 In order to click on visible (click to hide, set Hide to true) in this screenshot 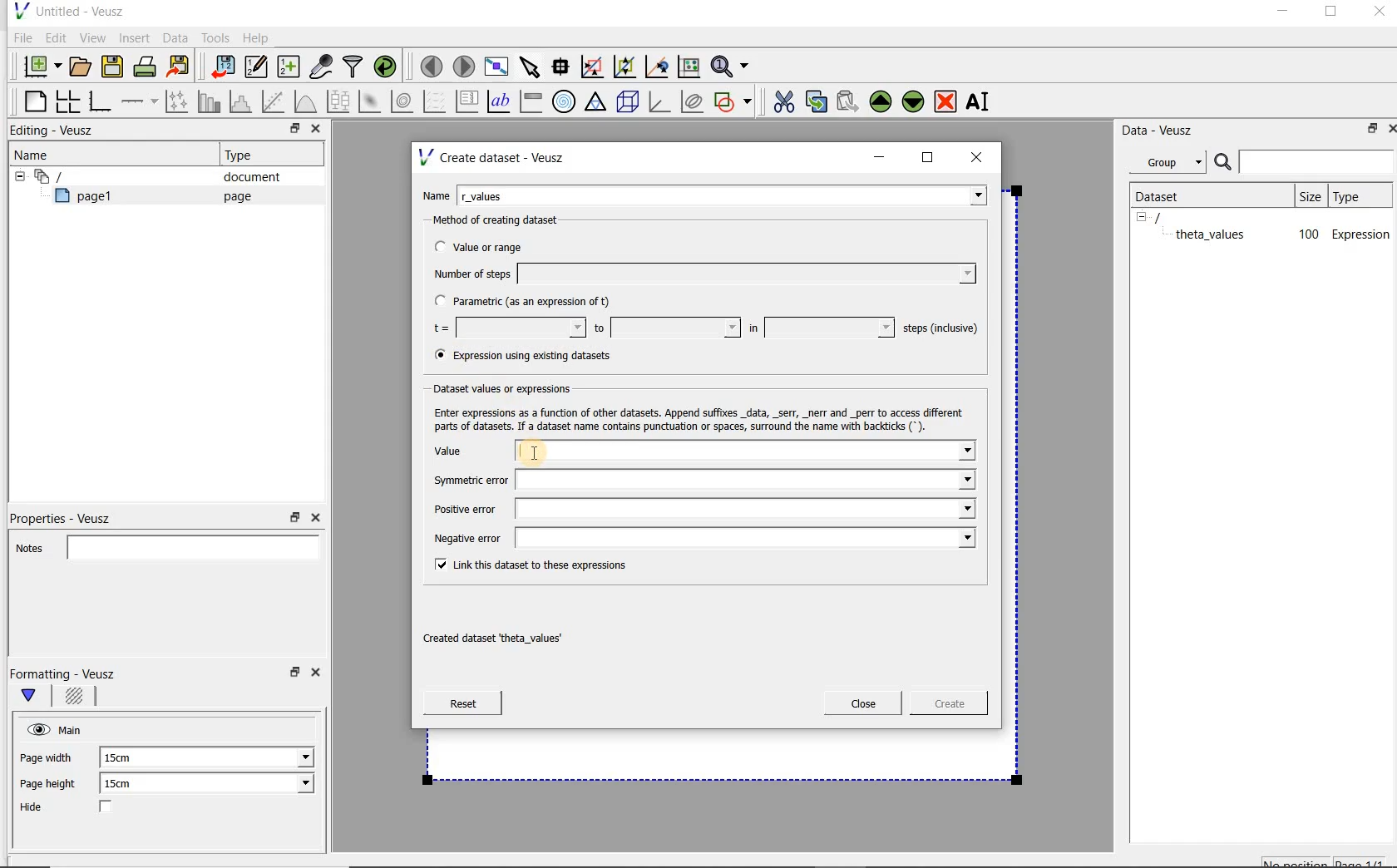, I will do `click(36, 729)`.